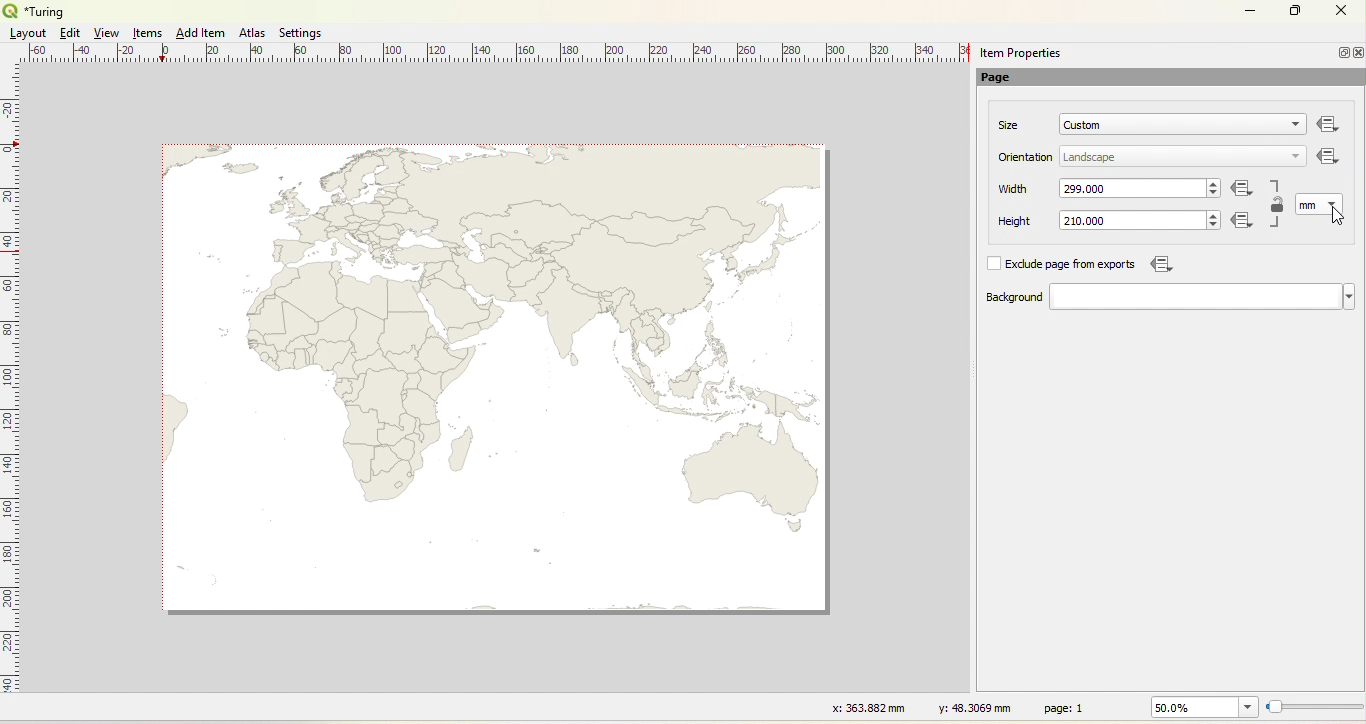  What do you see at coordinates (1211, 226) in the screenshot?
I see `decrease` at bounding box center [1211, 226].